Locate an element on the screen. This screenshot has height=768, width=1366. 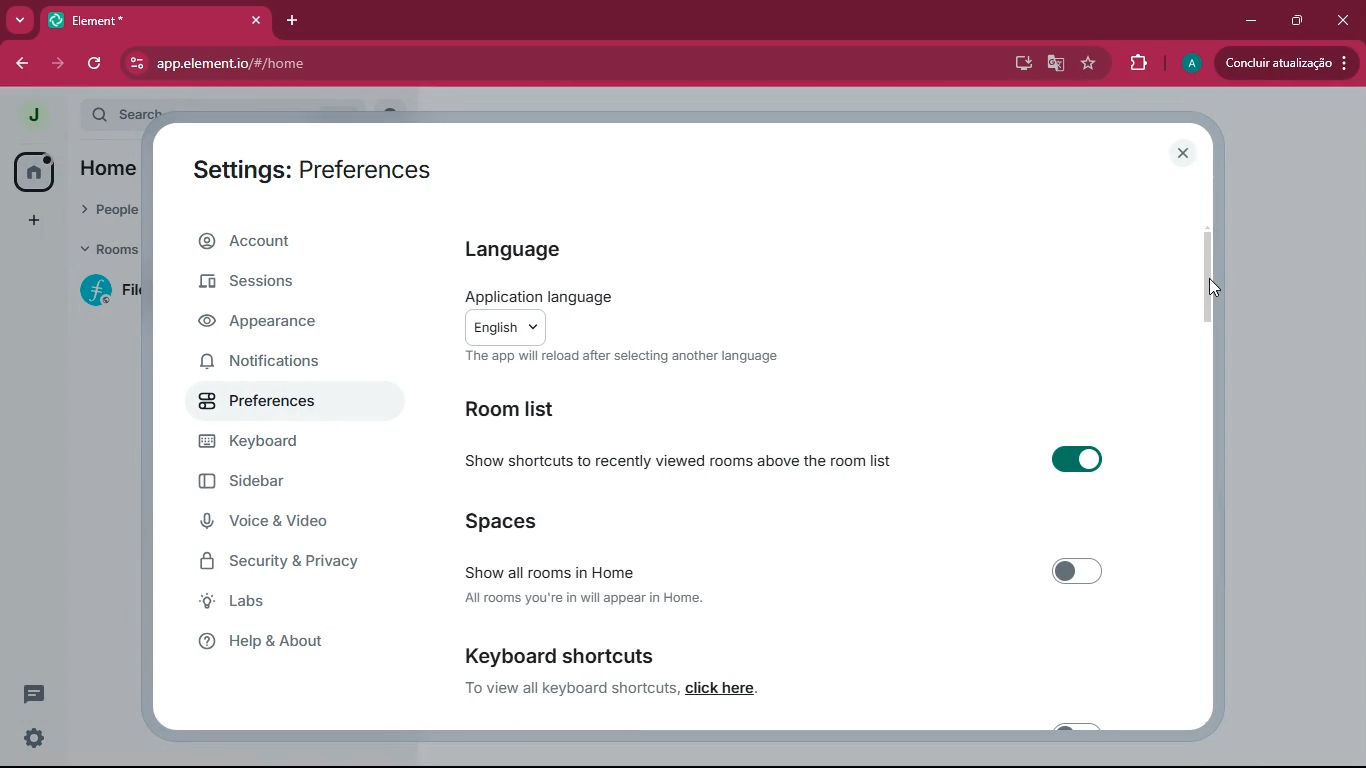
minimize is located at coordinates (1250, 22).